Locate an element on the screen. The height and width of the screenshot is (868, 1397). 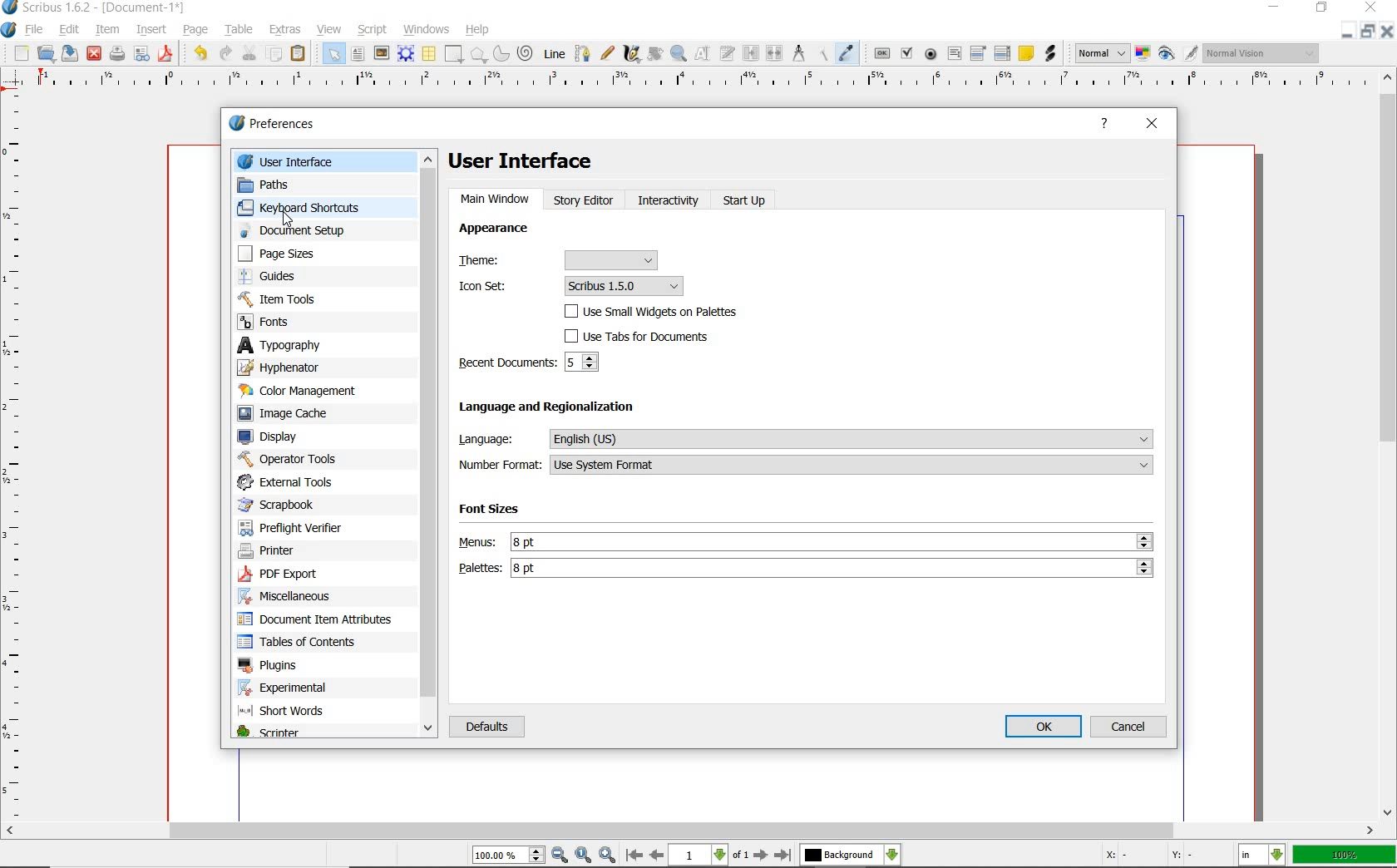
story editor is located at coordinates (585, 204).